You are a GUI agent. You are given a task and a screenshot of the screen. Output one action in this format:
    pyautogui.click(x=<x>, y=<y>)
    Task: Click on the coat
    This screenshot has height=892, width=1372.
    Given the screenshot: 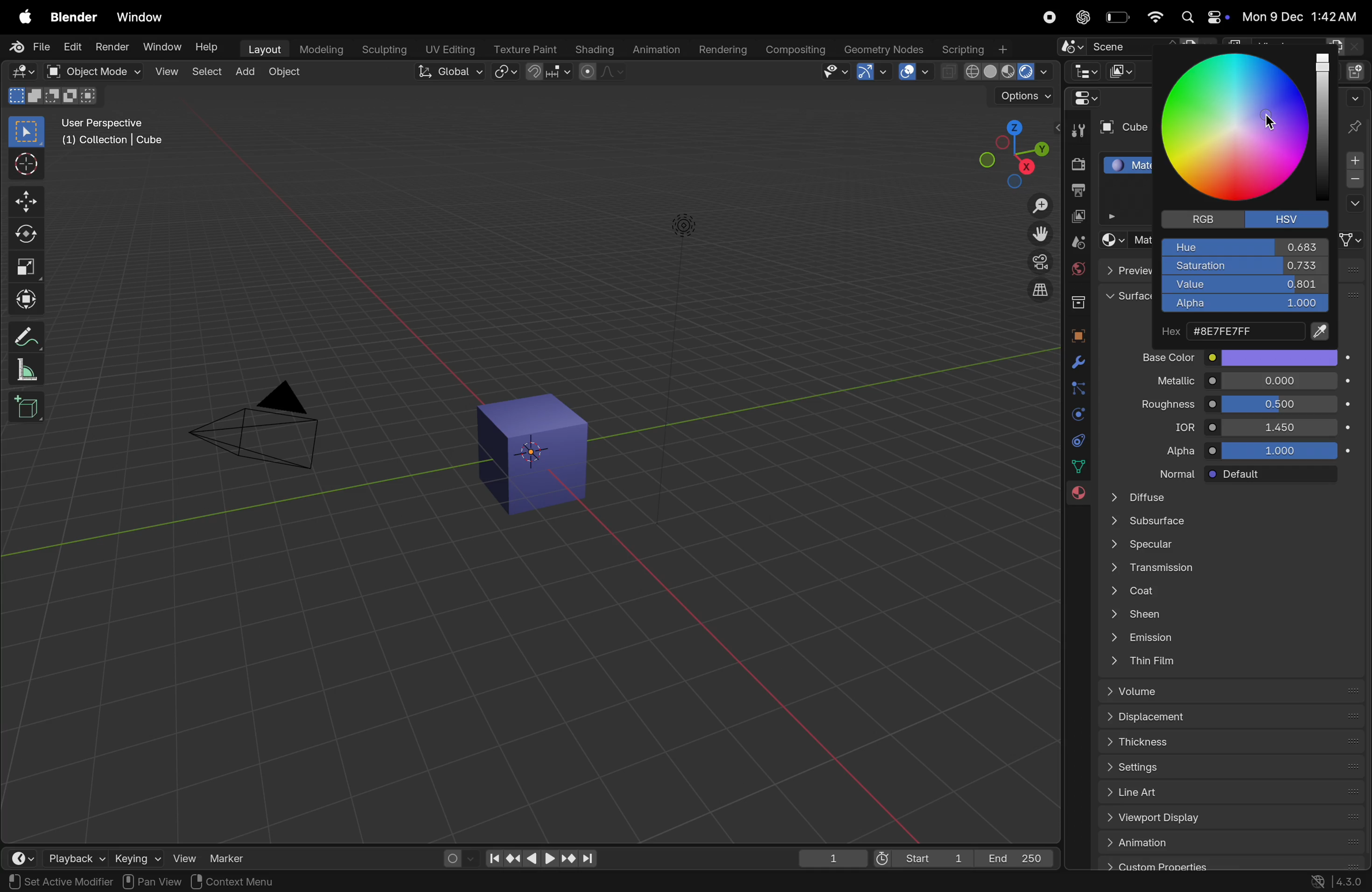 What is the action you would take?
    pyautogui.click(x=1223, y=593)
    